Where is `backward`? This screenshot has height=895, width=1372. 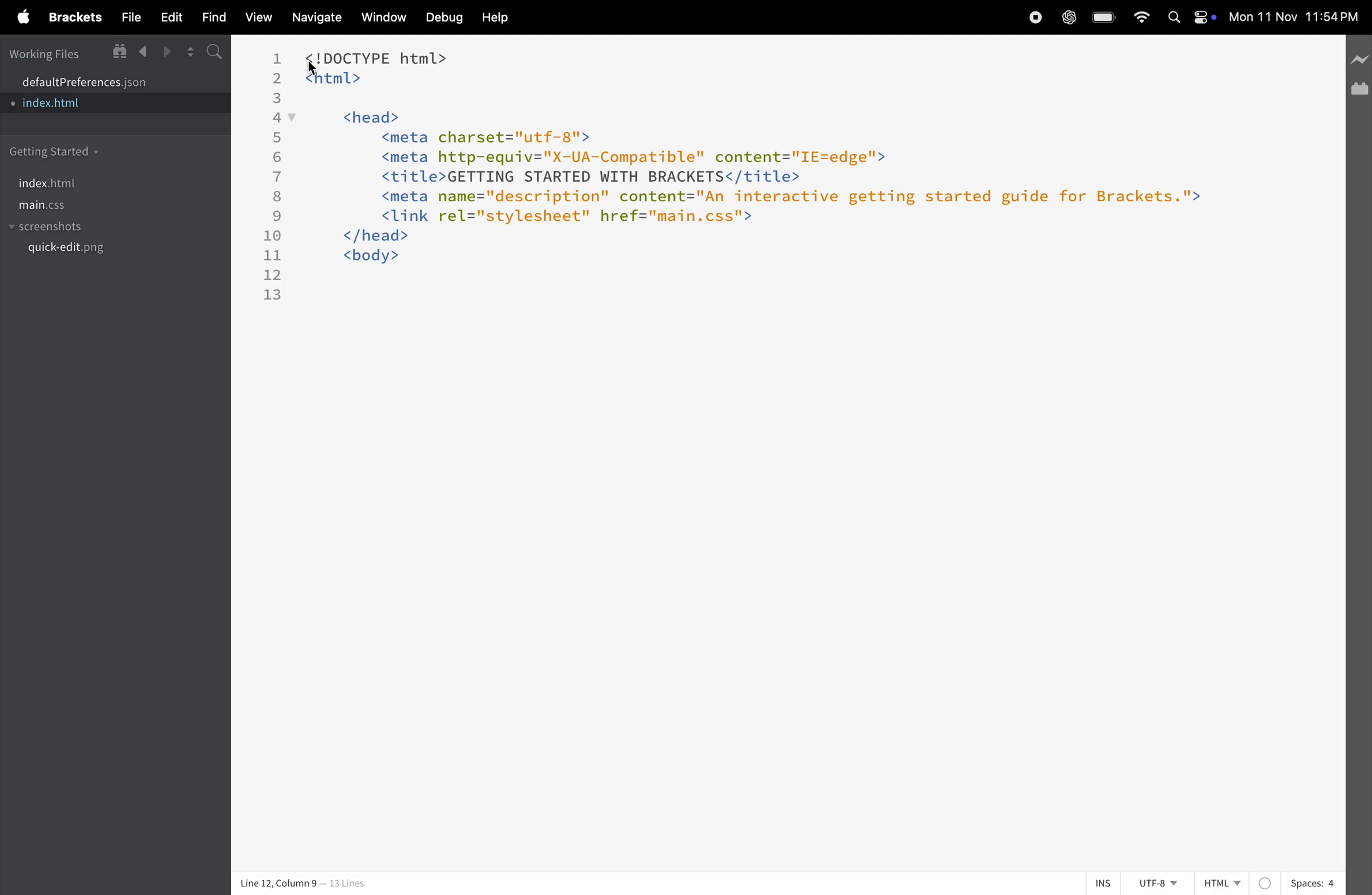 backward is located at coordinates (142, 52).